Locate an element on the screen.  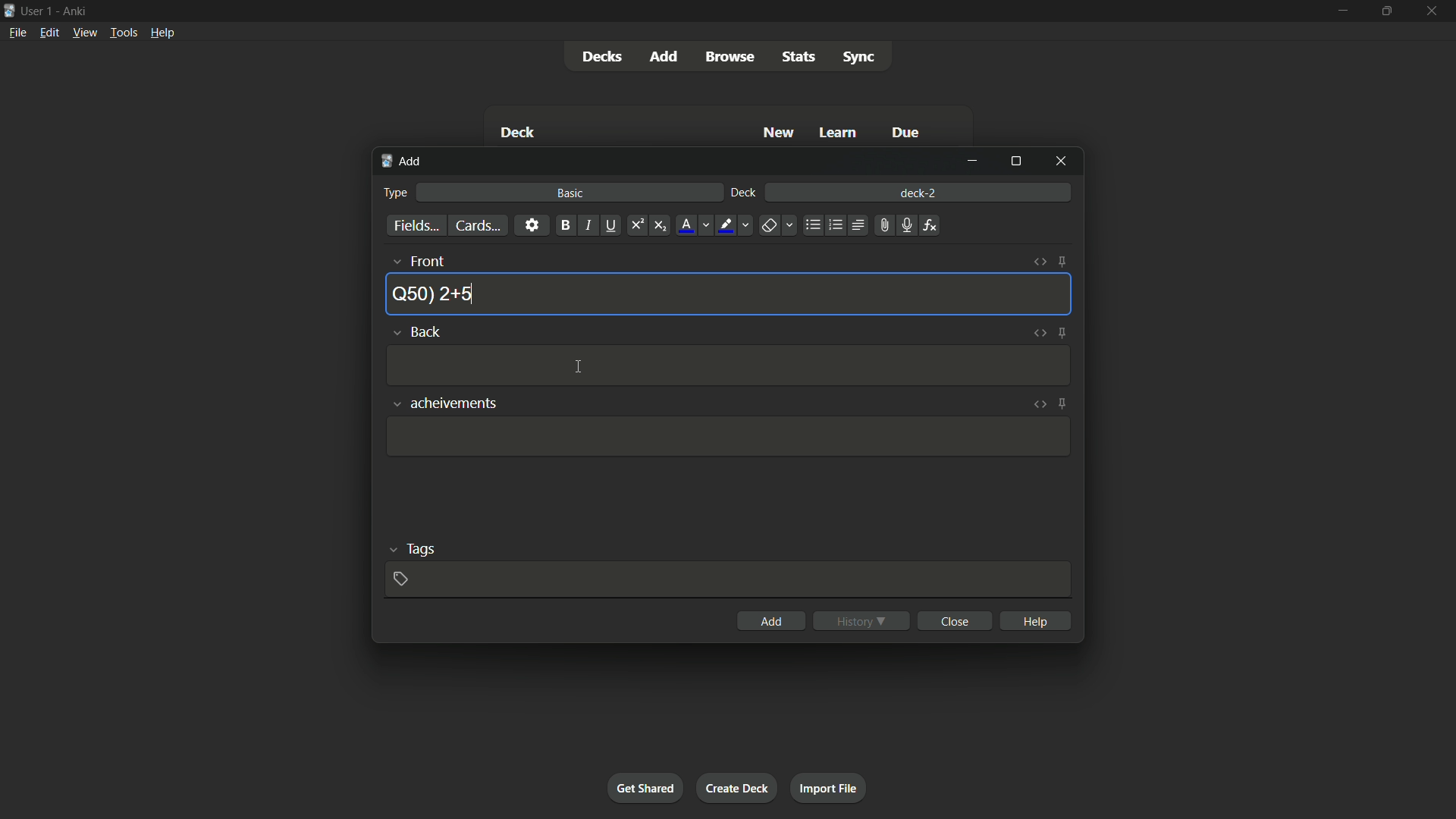
subscript is located at coordinates (661, 225).